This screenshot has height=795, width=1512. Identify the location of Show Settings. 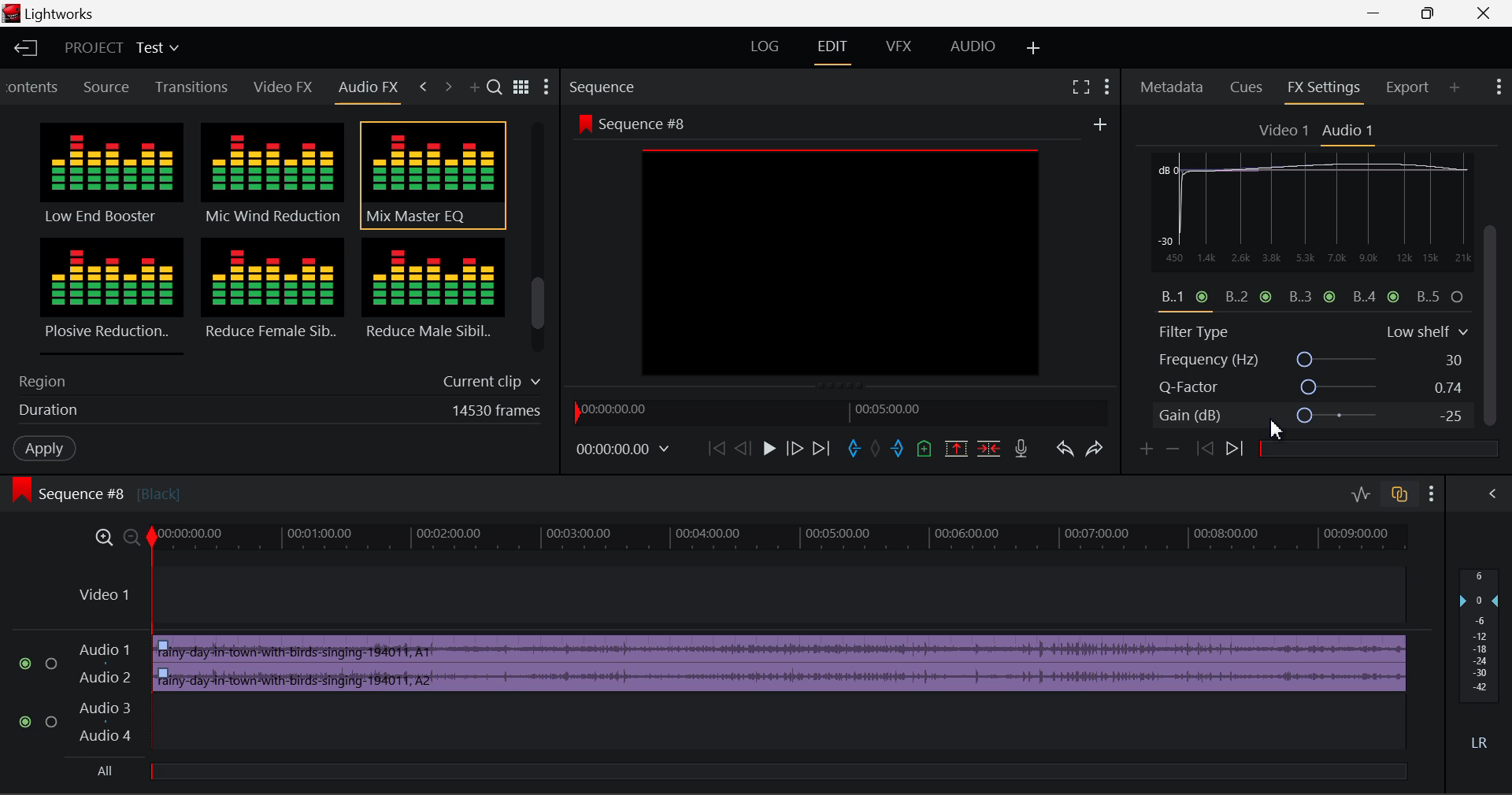
(1497, 84).